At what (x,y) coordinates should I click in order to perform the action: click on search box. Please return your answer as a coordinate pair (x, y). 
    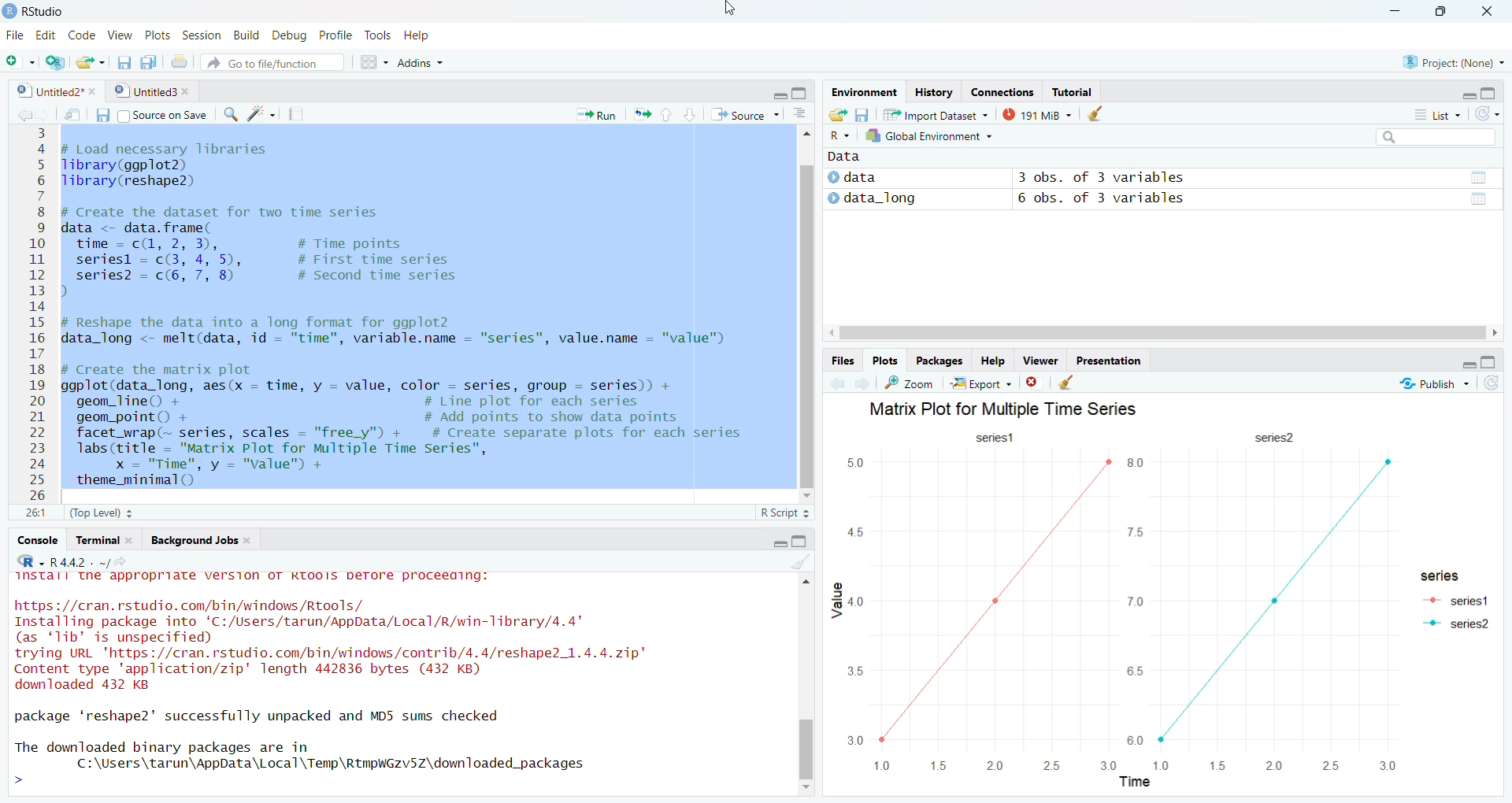
    Looking at the image, I should click on (1434, 136).